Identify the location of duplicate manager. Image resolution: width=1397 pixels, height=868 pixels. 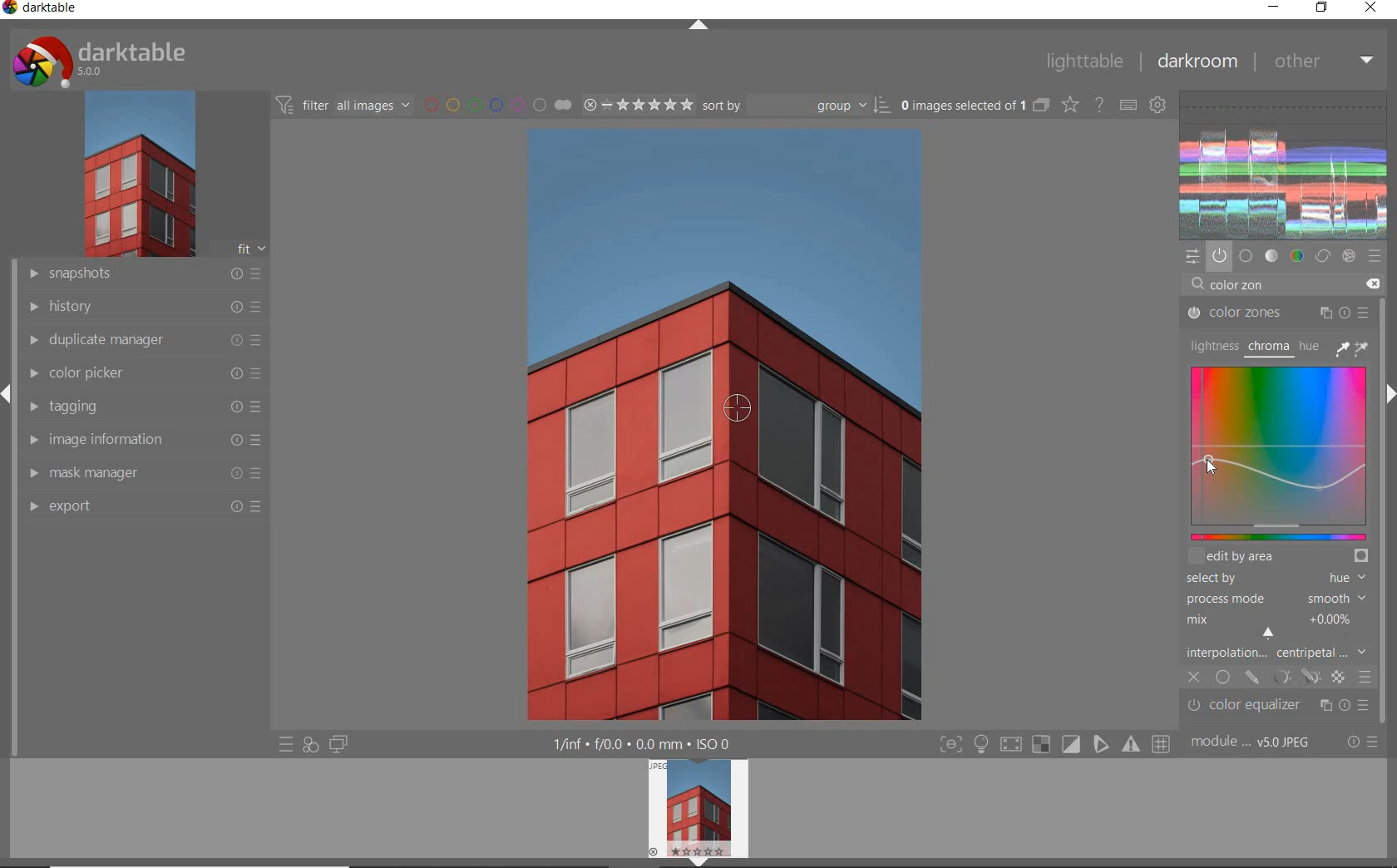
(140, 342).